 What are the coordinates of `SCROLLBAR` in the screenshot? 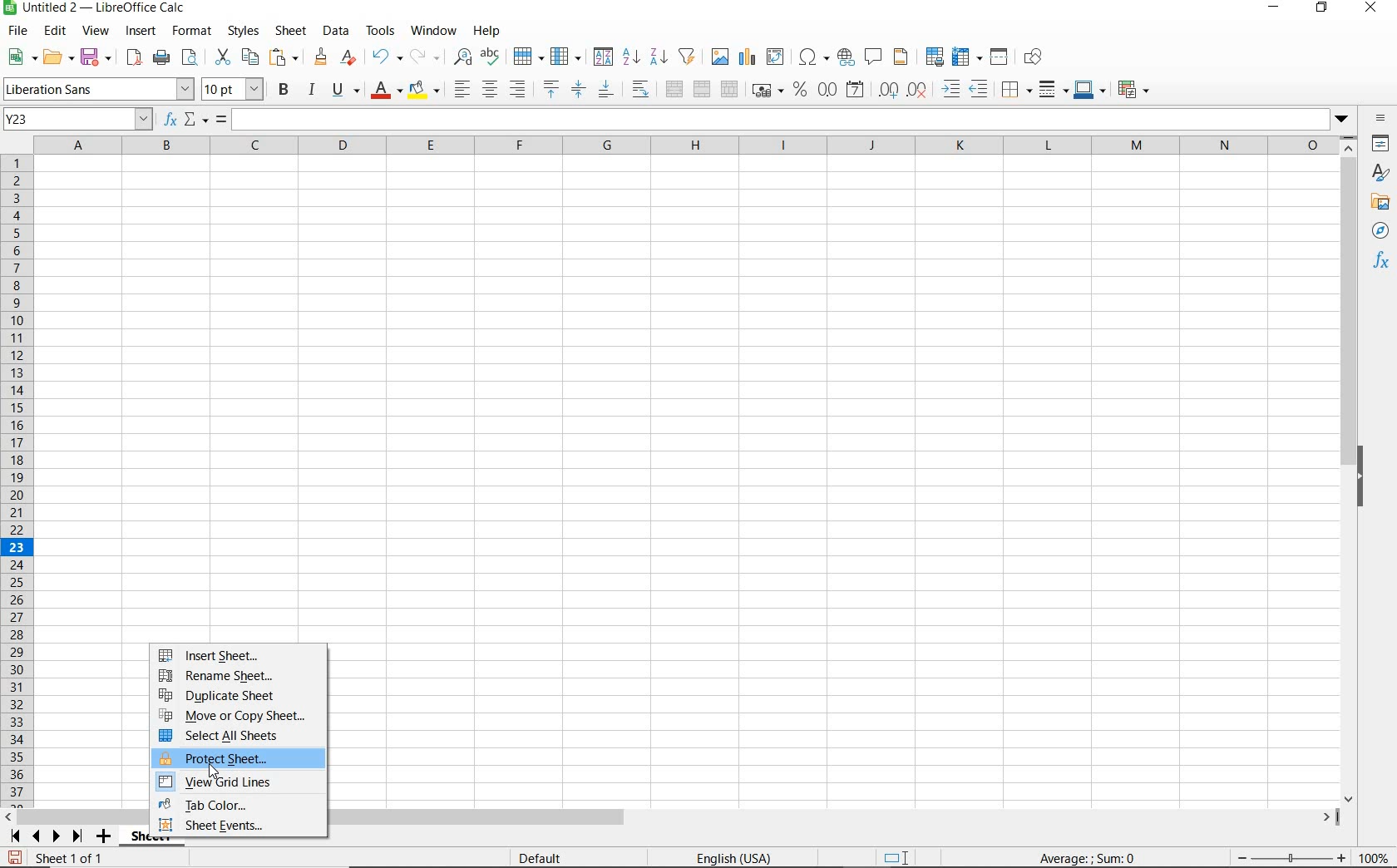 It's located at (1349, 470).